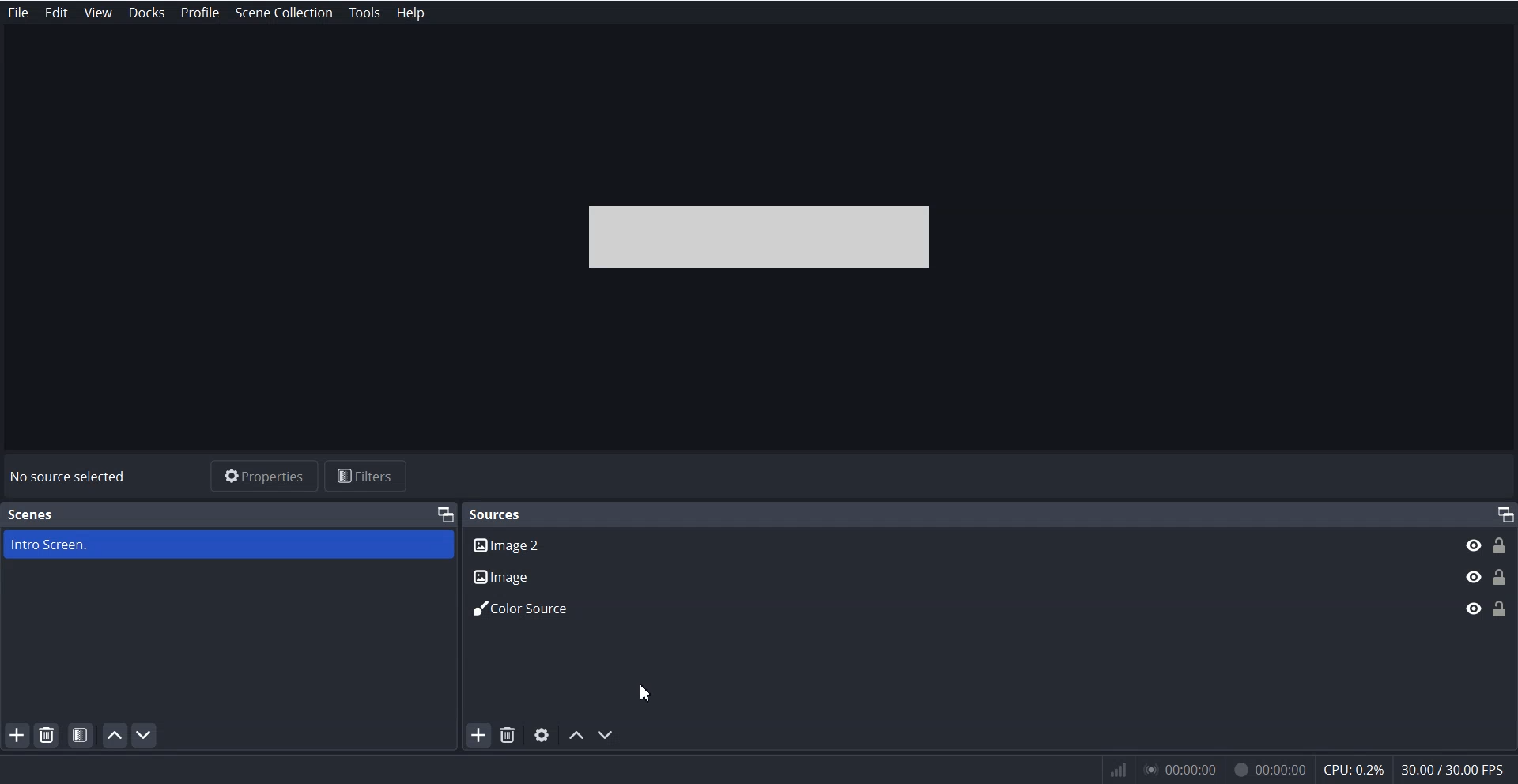 This screenshot has height=784, width=1518. Describe the element at coordinates (476, 736) in the screenshot. I see `Add Source` at that location.